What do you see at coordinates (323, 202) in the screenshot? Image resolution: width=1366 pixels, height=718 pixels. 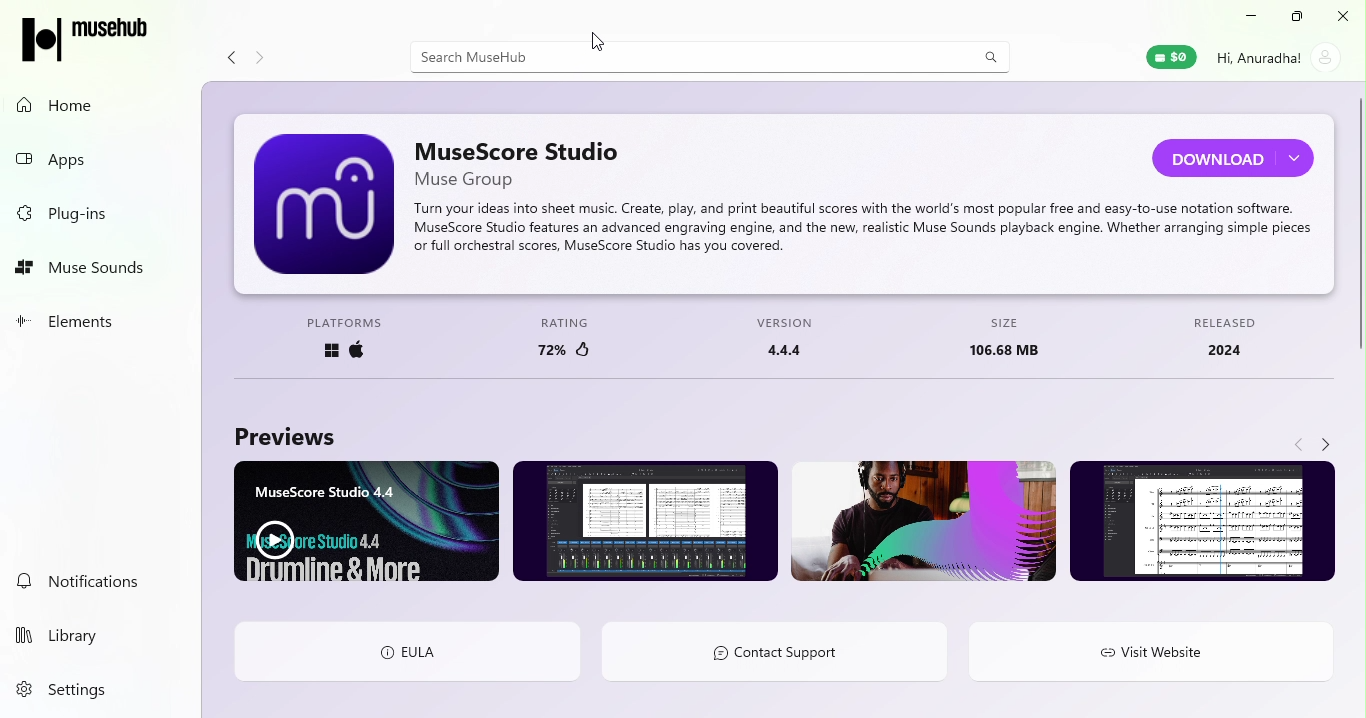 I see `logo` at bounding box center [323, 202].